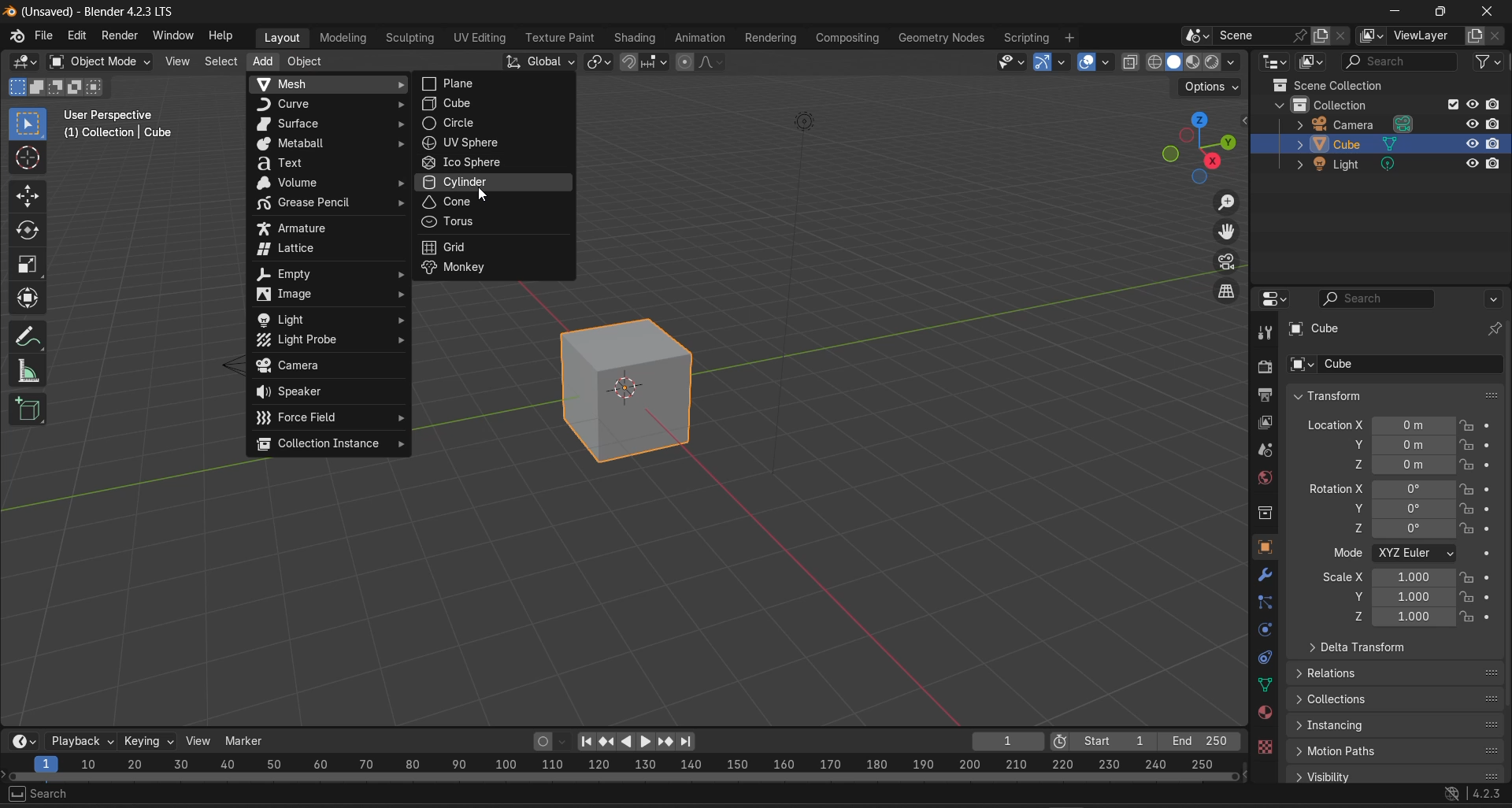 Image resolution: width=1512 pixels, height=808 pixels. I want to click on rotation y, so click(1403, 508).